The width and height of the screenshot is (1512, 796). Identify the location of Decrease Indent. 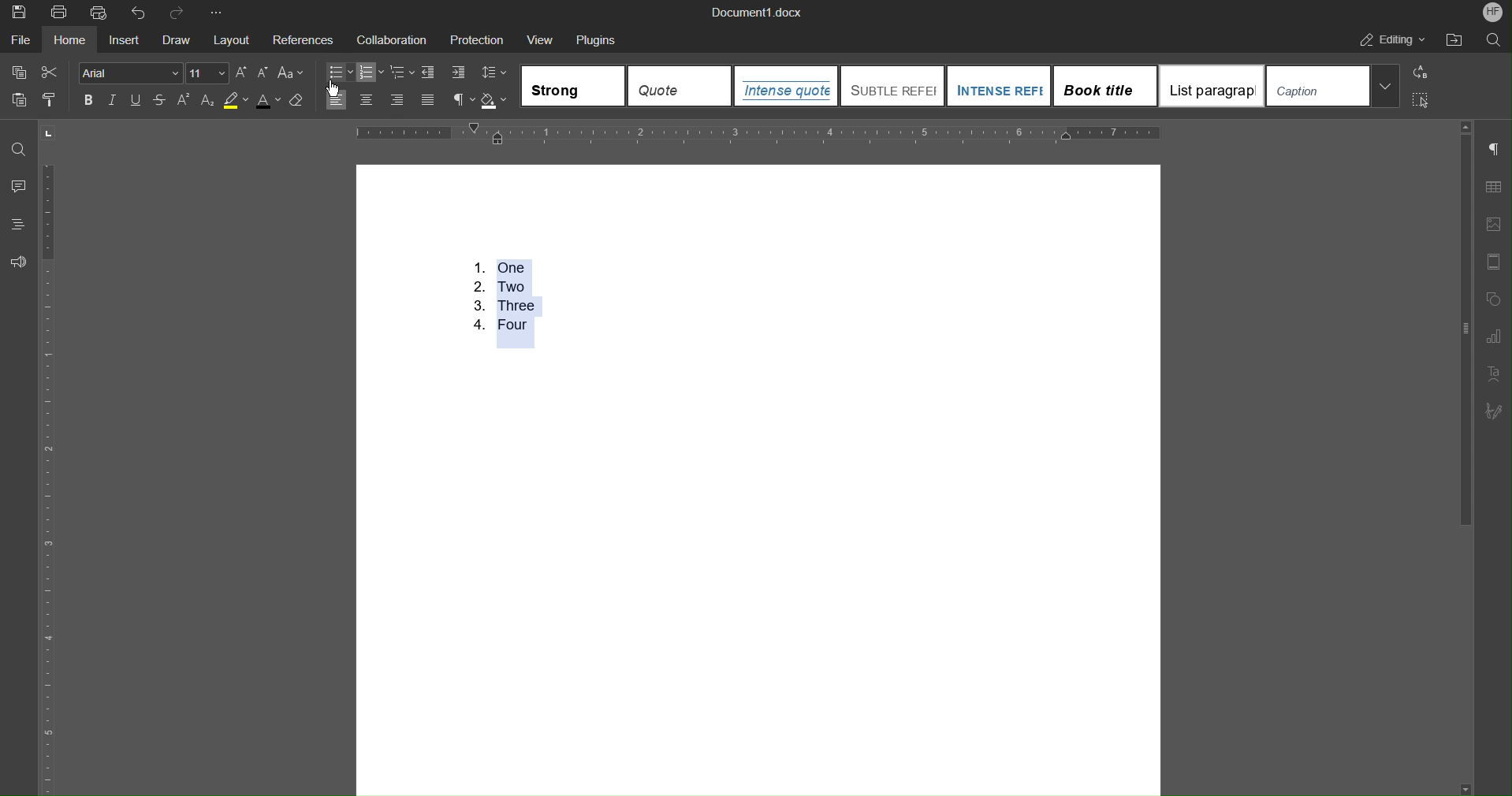
(430, 73).